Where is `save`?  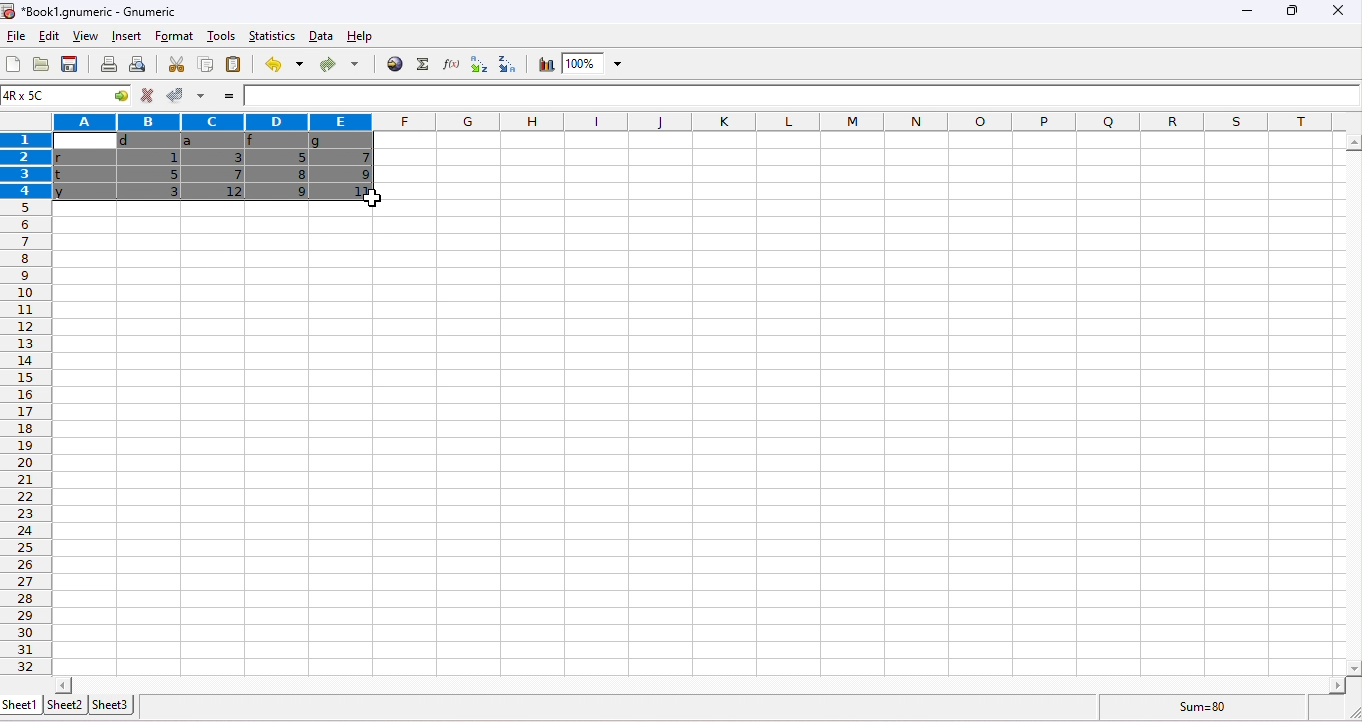 save is located at coordinates (70, 63).